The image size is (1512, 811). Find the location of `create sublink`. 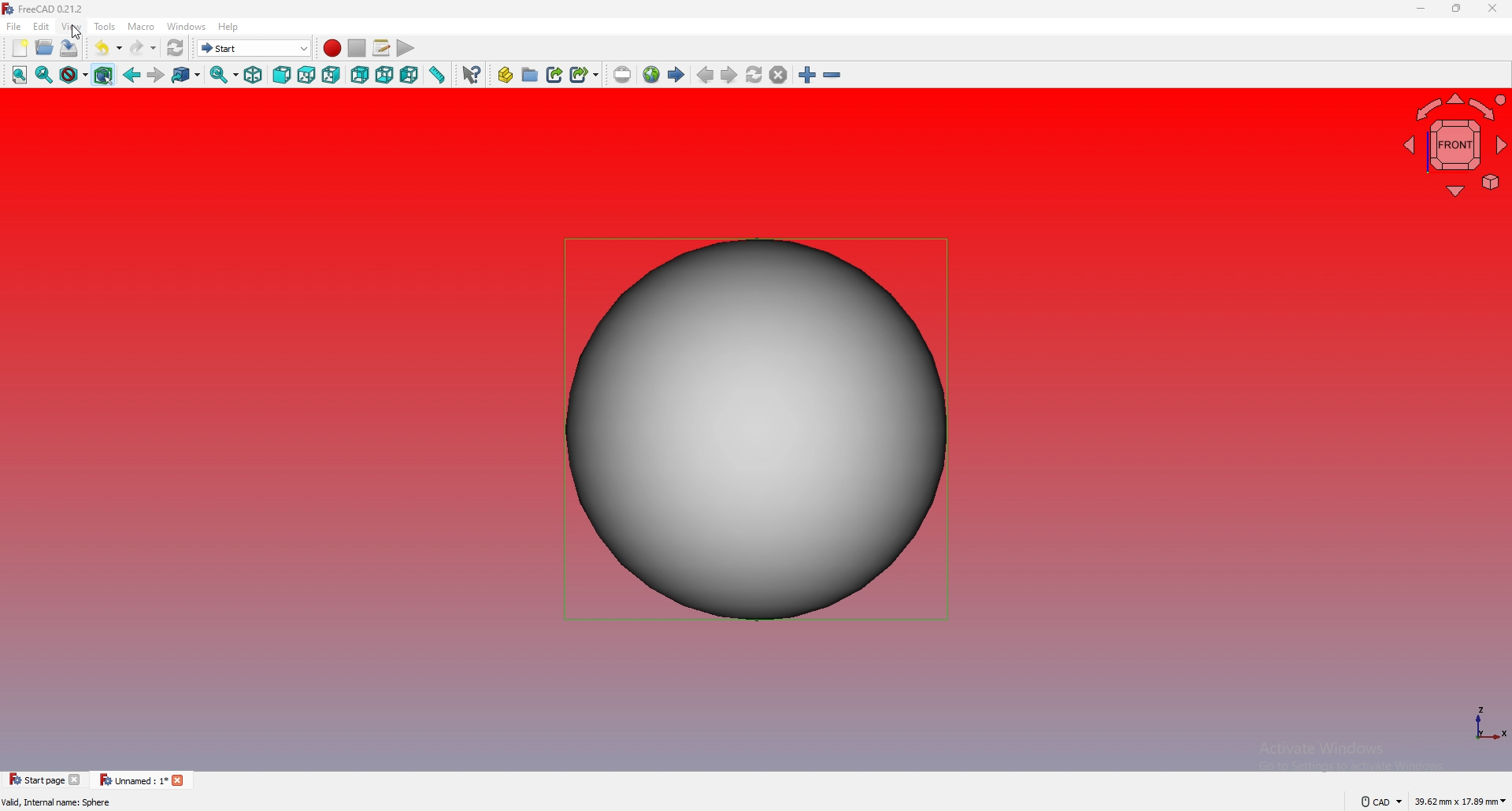

create sublink is located at coordinates (584, 74).